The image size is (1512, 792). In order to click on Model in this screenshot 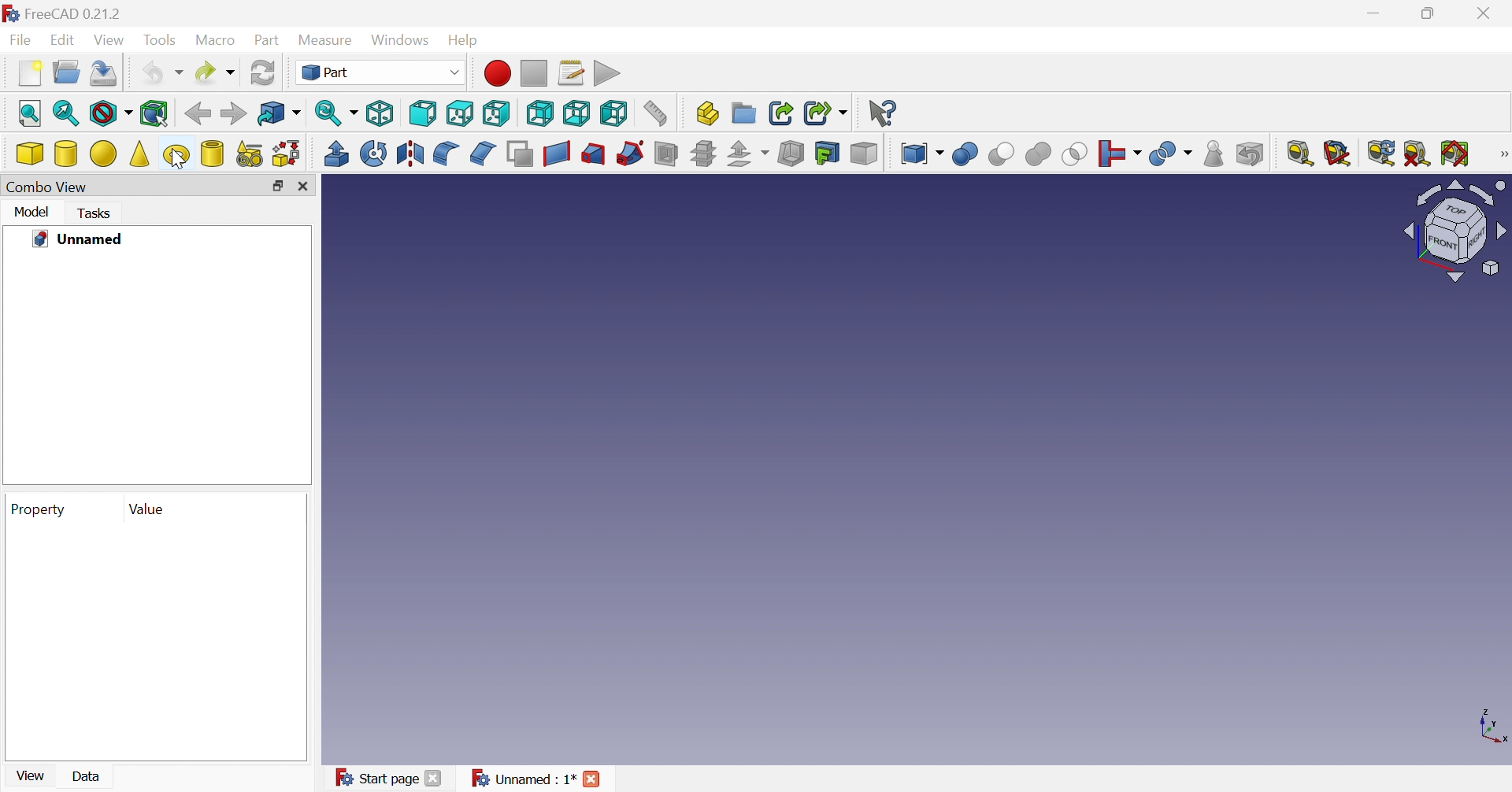, I will do `click(31, 211)`.